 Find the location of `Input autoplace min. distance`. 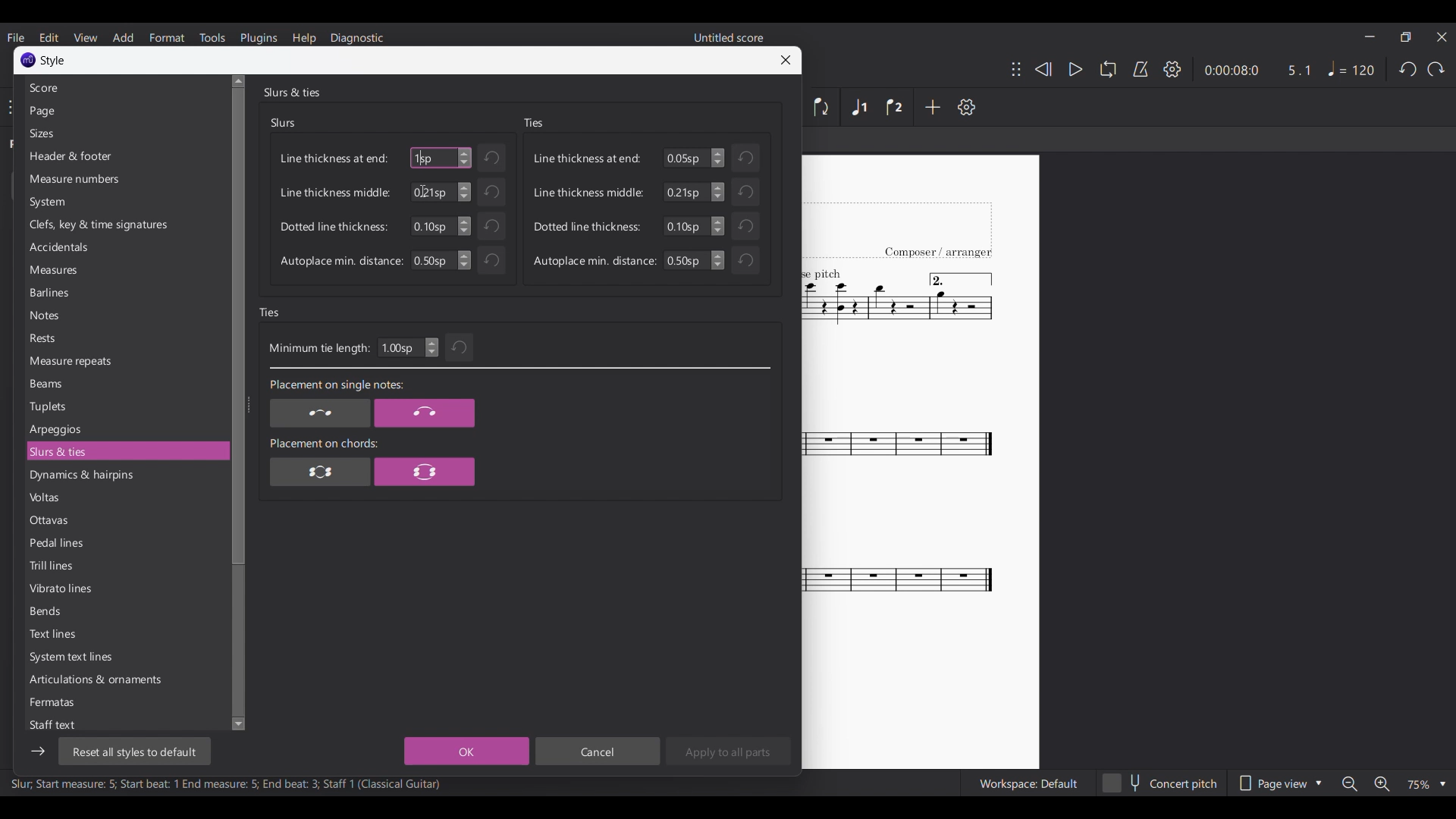

Input autoplace min. distance is located at coordinates (686, 260).